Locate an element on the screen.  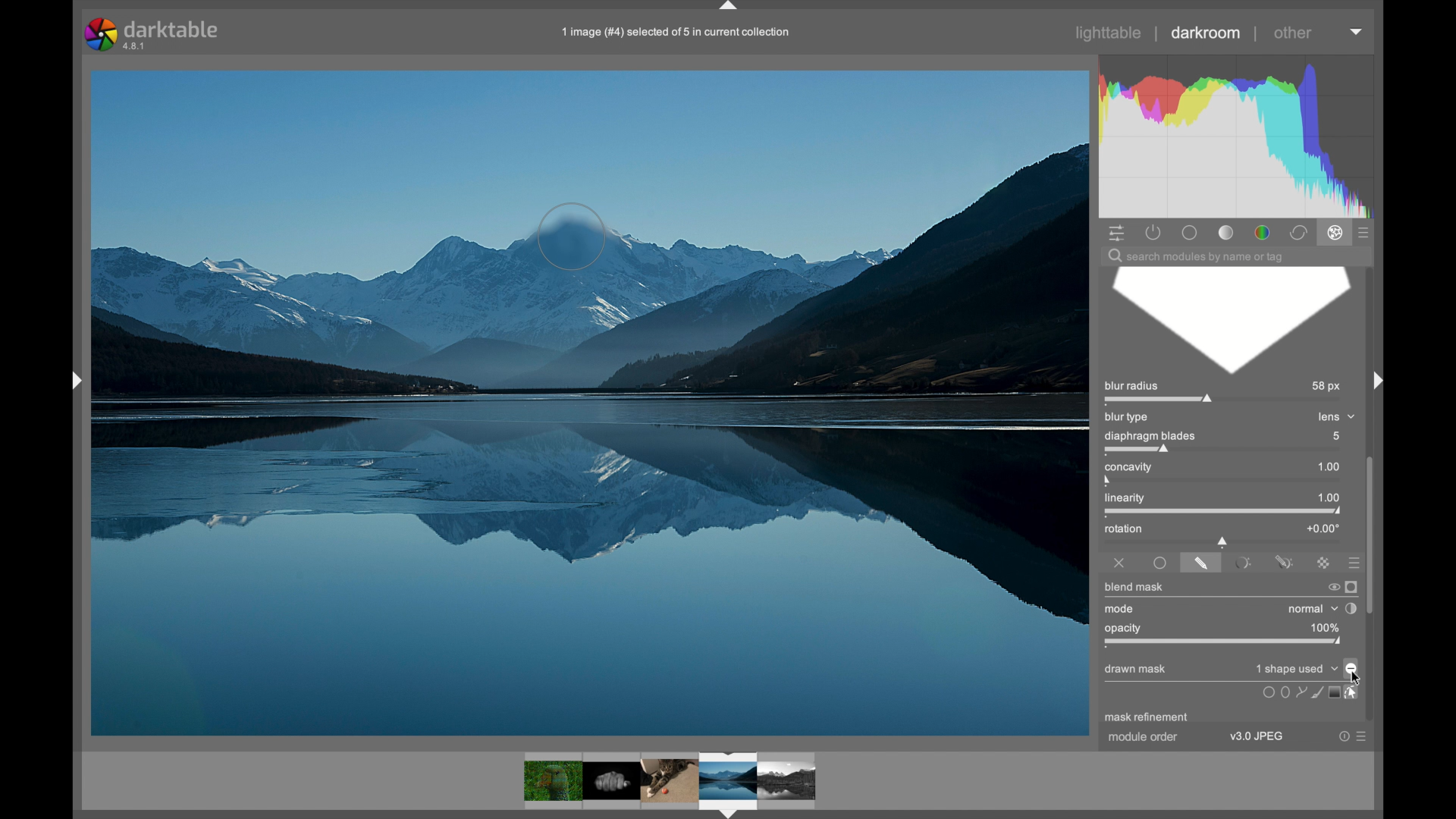
module order is located at coordinates (1142, 739).